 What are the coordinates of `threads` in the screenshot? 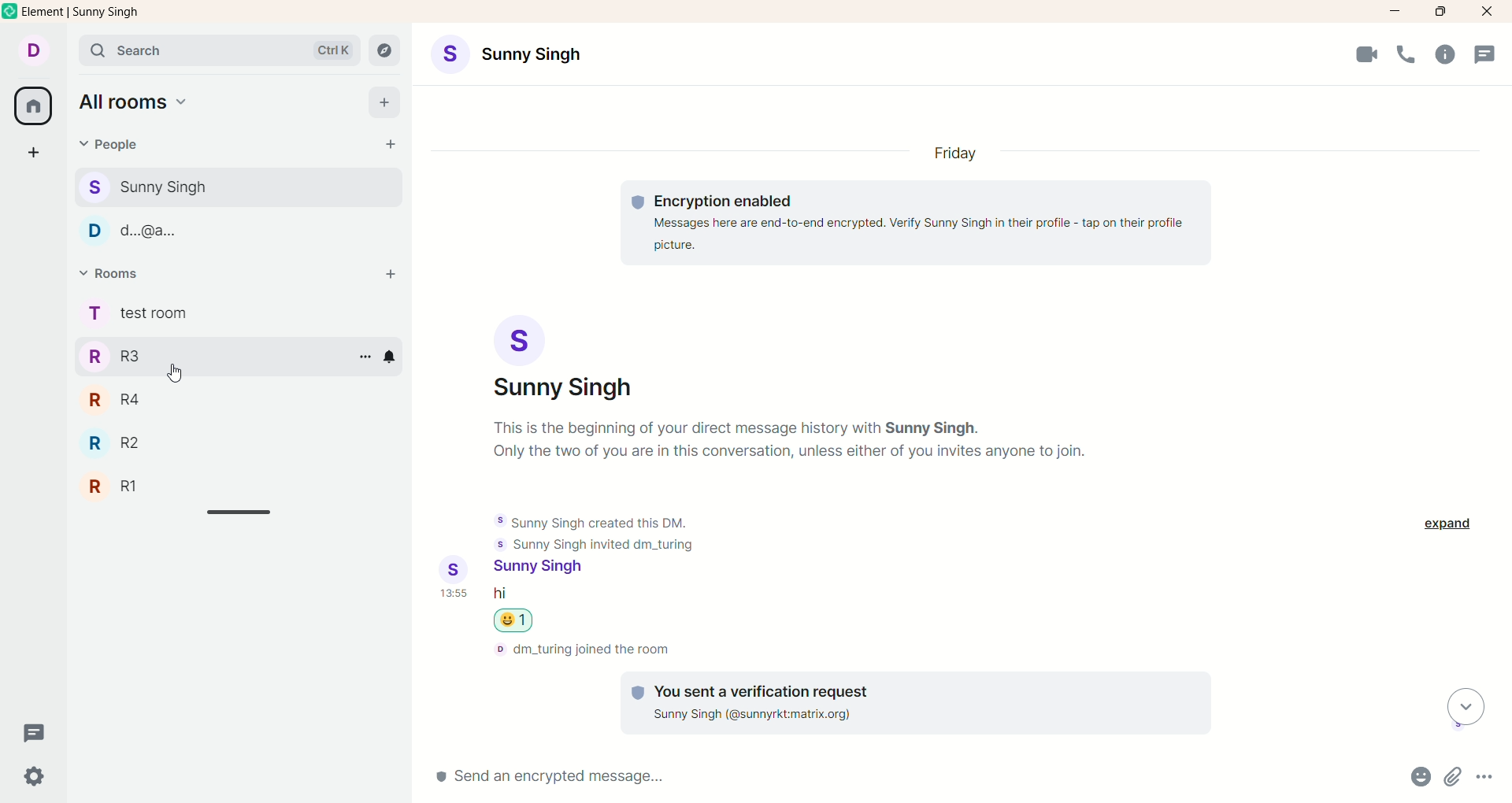 It's located at (1492, 54).